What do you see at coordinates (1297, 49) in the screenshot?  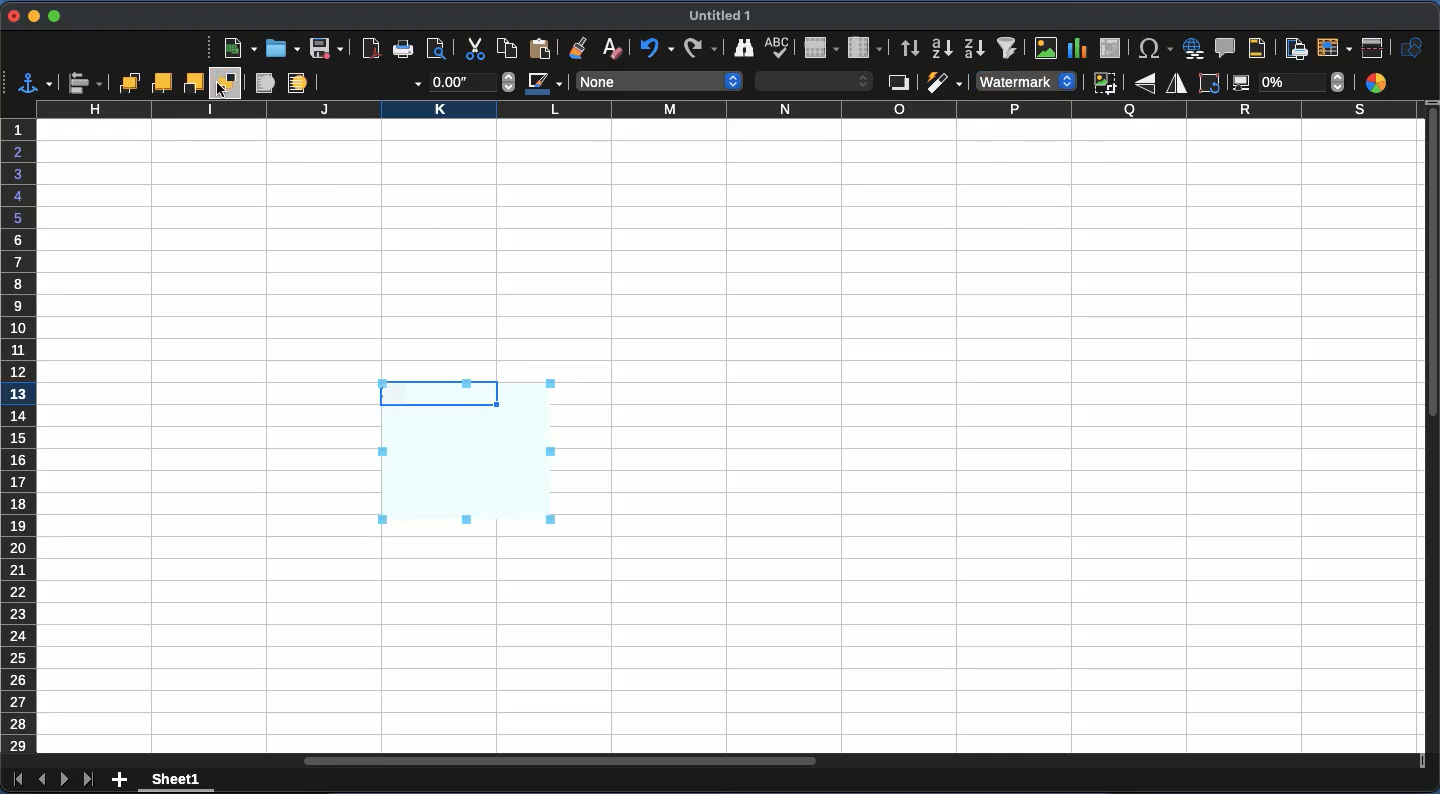 I see `define print area` at bounding box center [1297, 49].